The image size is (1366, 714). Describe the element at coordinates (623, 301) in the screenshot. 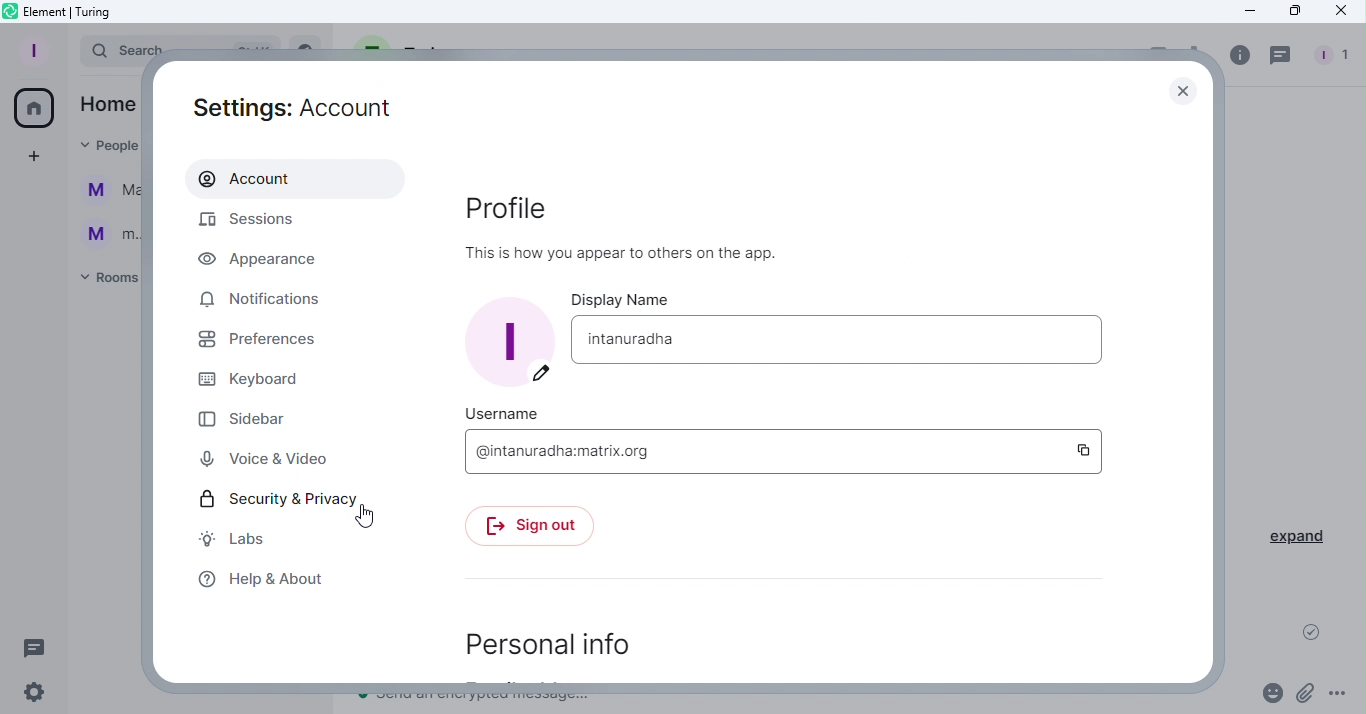

I see `Display name` at that location.